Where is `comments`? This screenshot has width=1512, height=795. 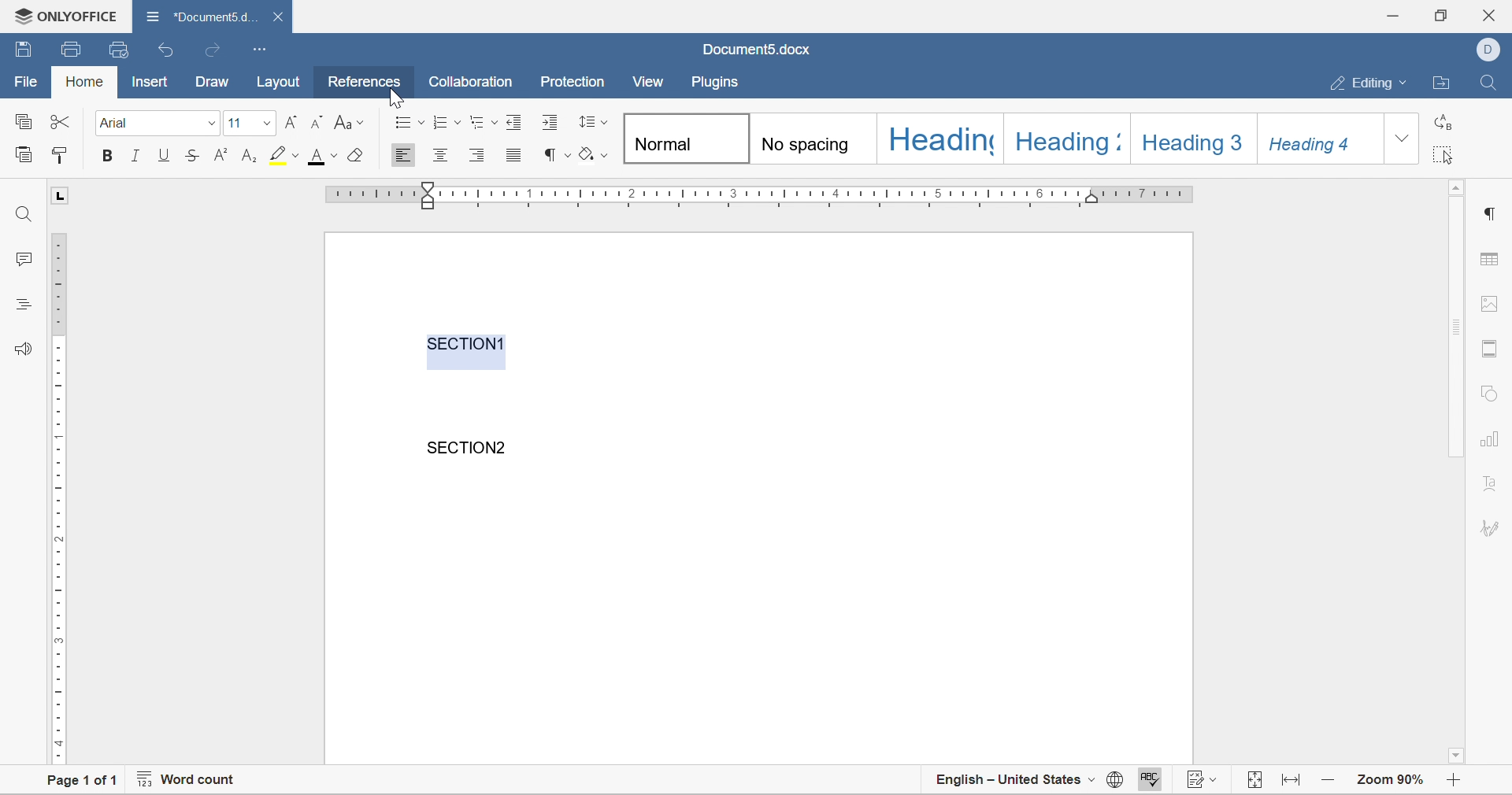
comments is located at coordinates (17, 258).